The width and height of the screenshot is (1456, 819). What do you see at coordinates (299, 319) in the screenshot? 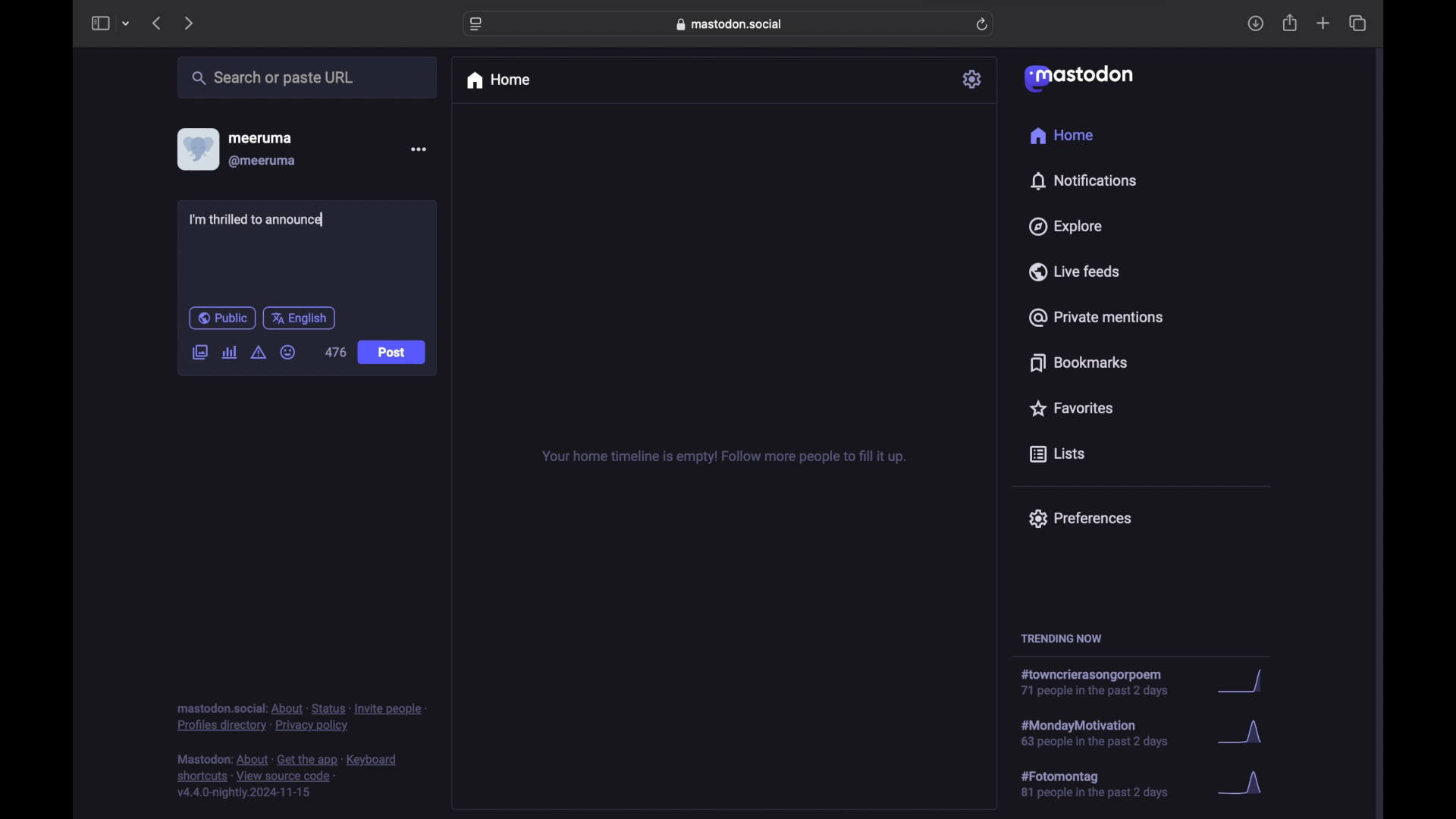
I see `english` at bounding box center [299, 319].